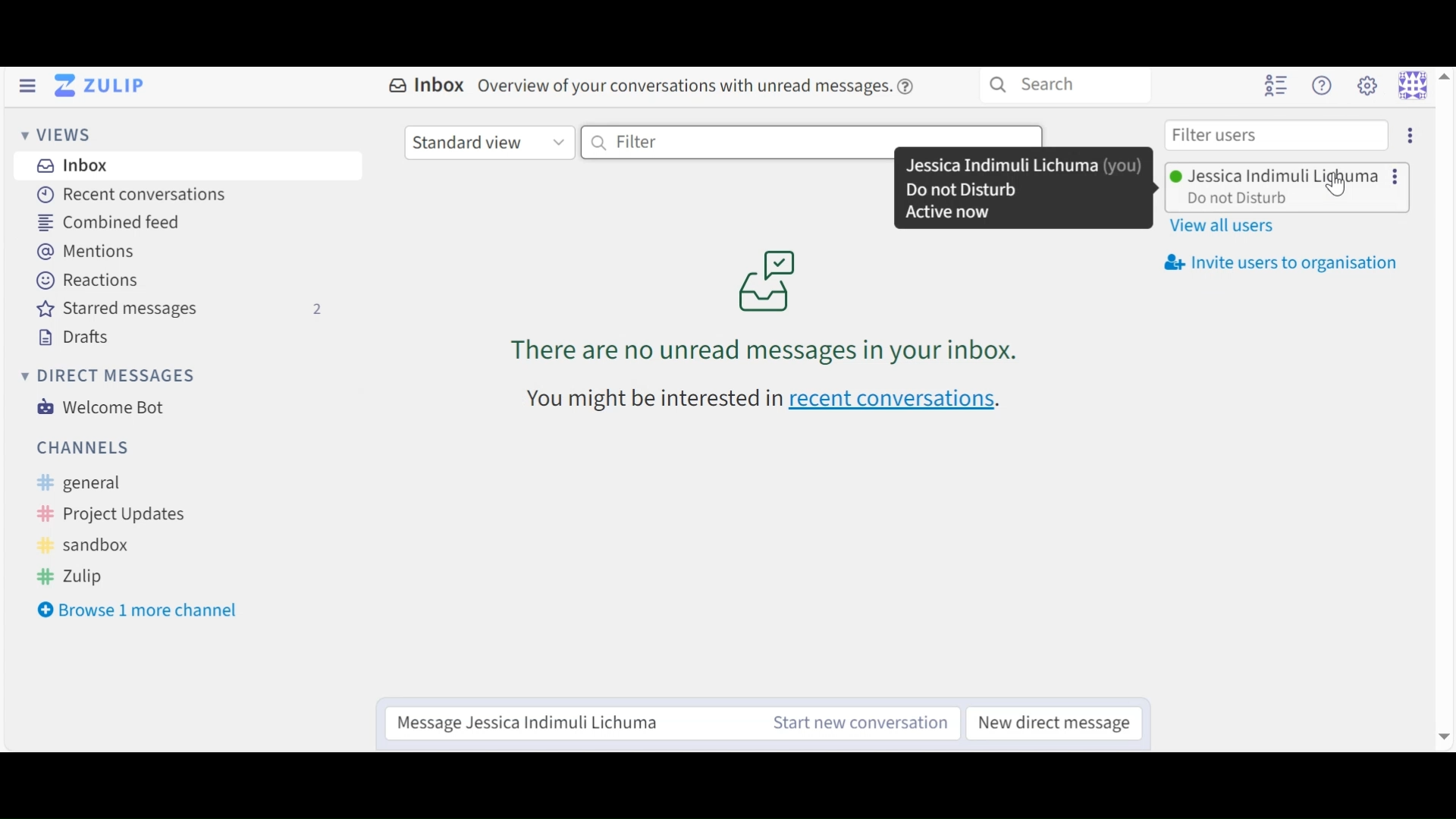 Image resolution: width=1456 pixels, height=819 pixels. What do you see at coordinates (1276, 135) in the screenshot?
I see `Filter users` at bounding box center [1276, 135].